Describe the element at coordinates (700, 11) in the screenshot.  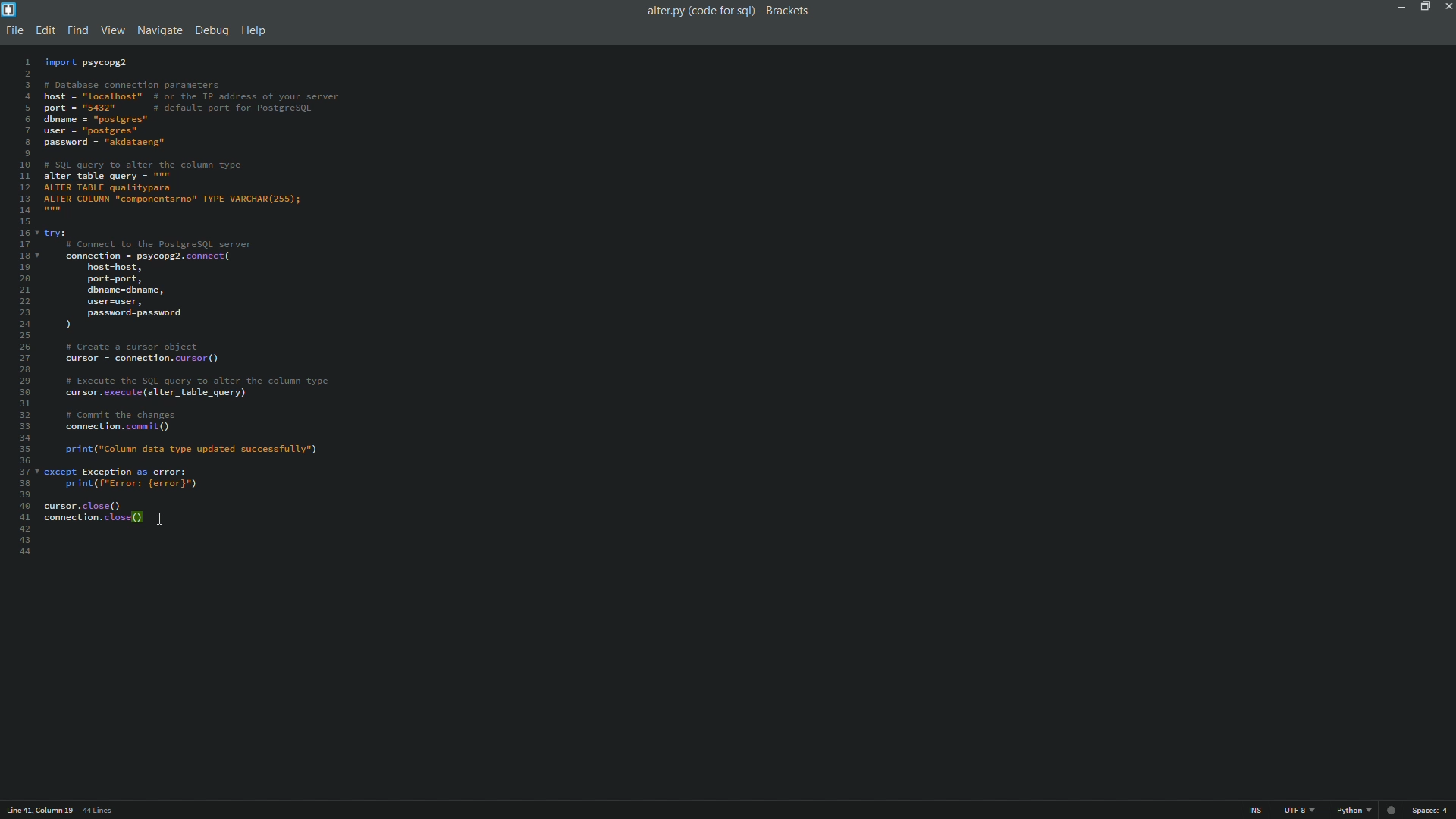
I see `file name` at that location.